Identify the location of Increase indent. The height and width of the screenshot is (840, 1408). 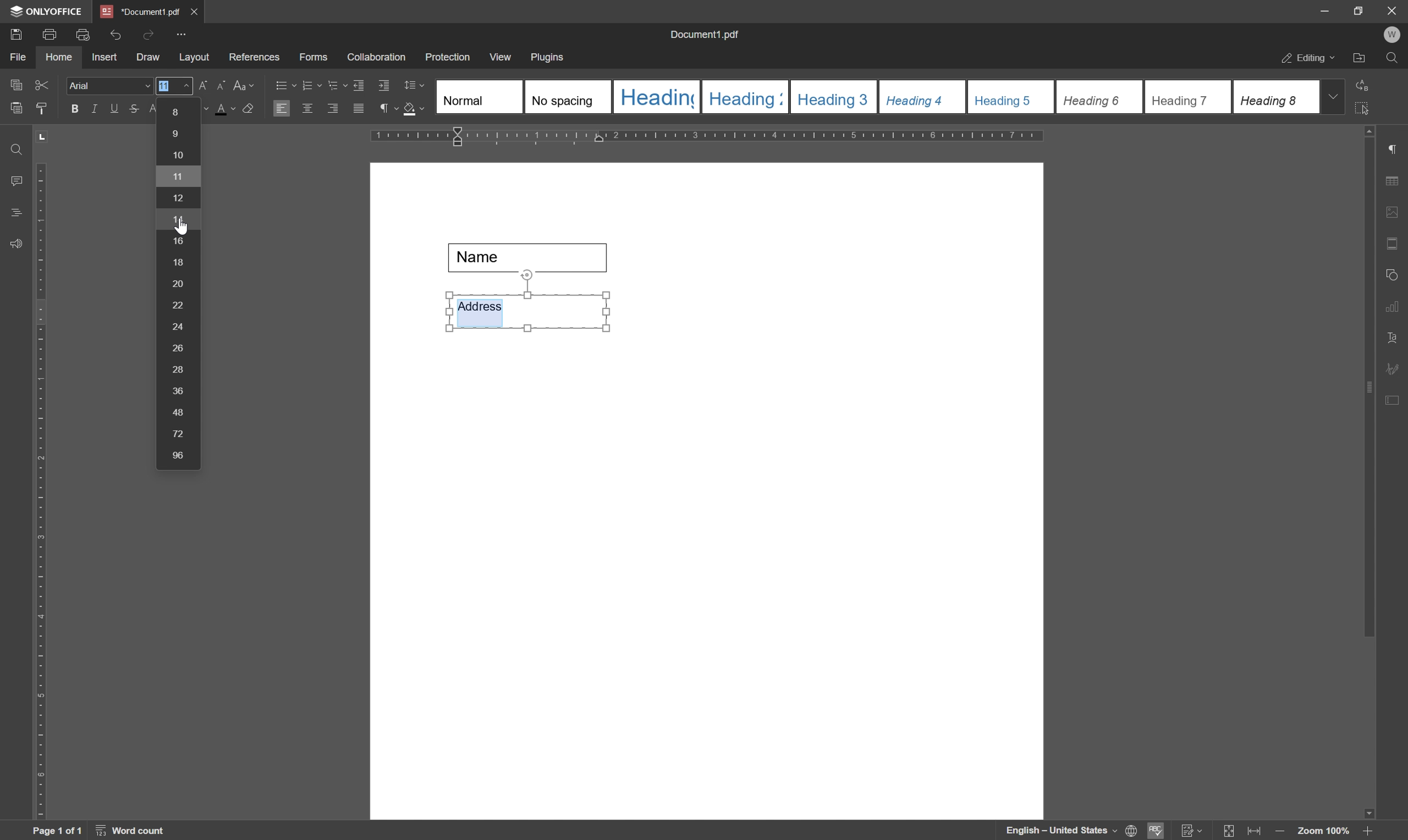
(386, 87).